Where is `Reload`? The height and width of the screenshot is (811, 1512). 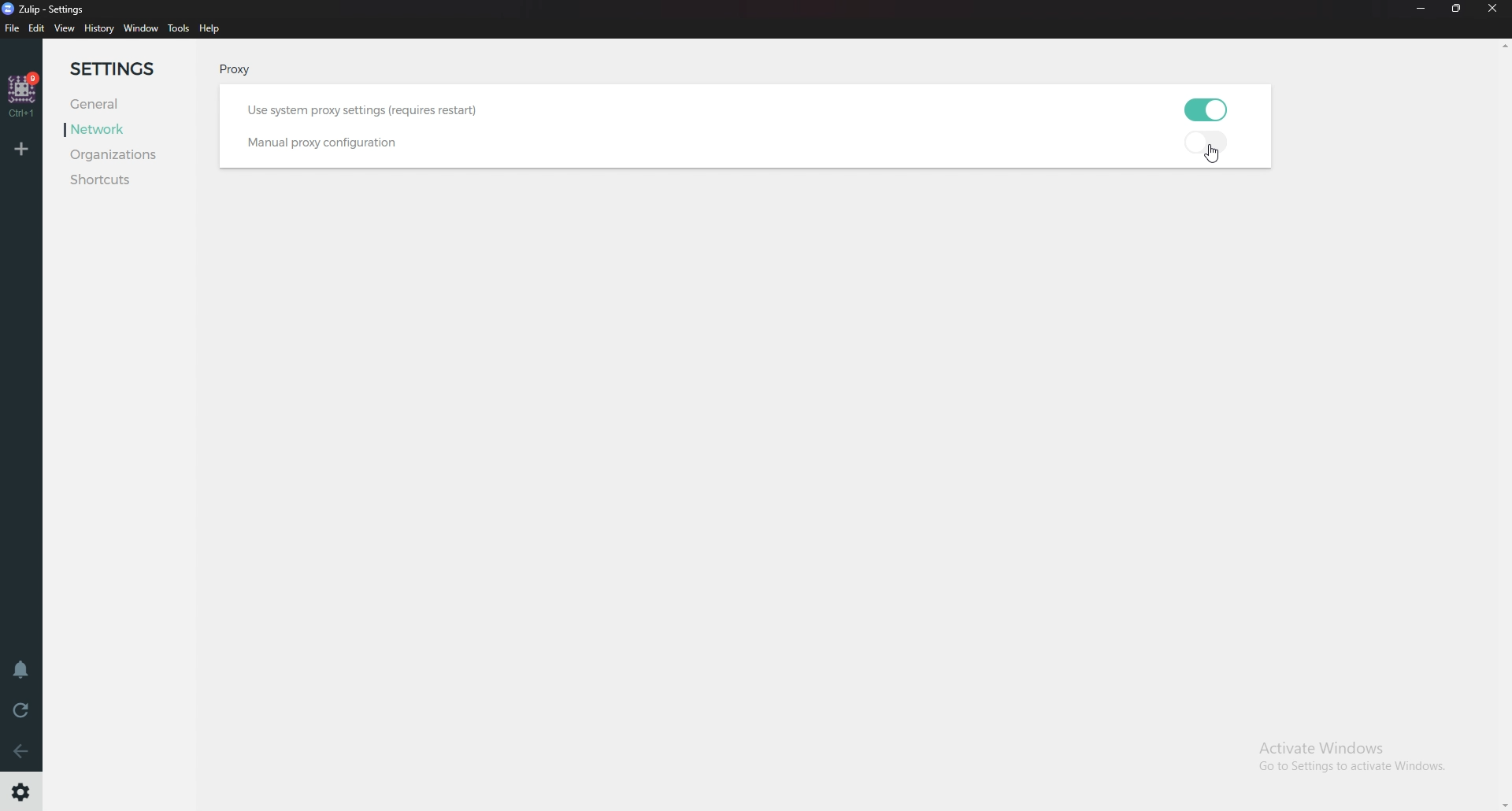
Reload is located at coordinates (20, 709).